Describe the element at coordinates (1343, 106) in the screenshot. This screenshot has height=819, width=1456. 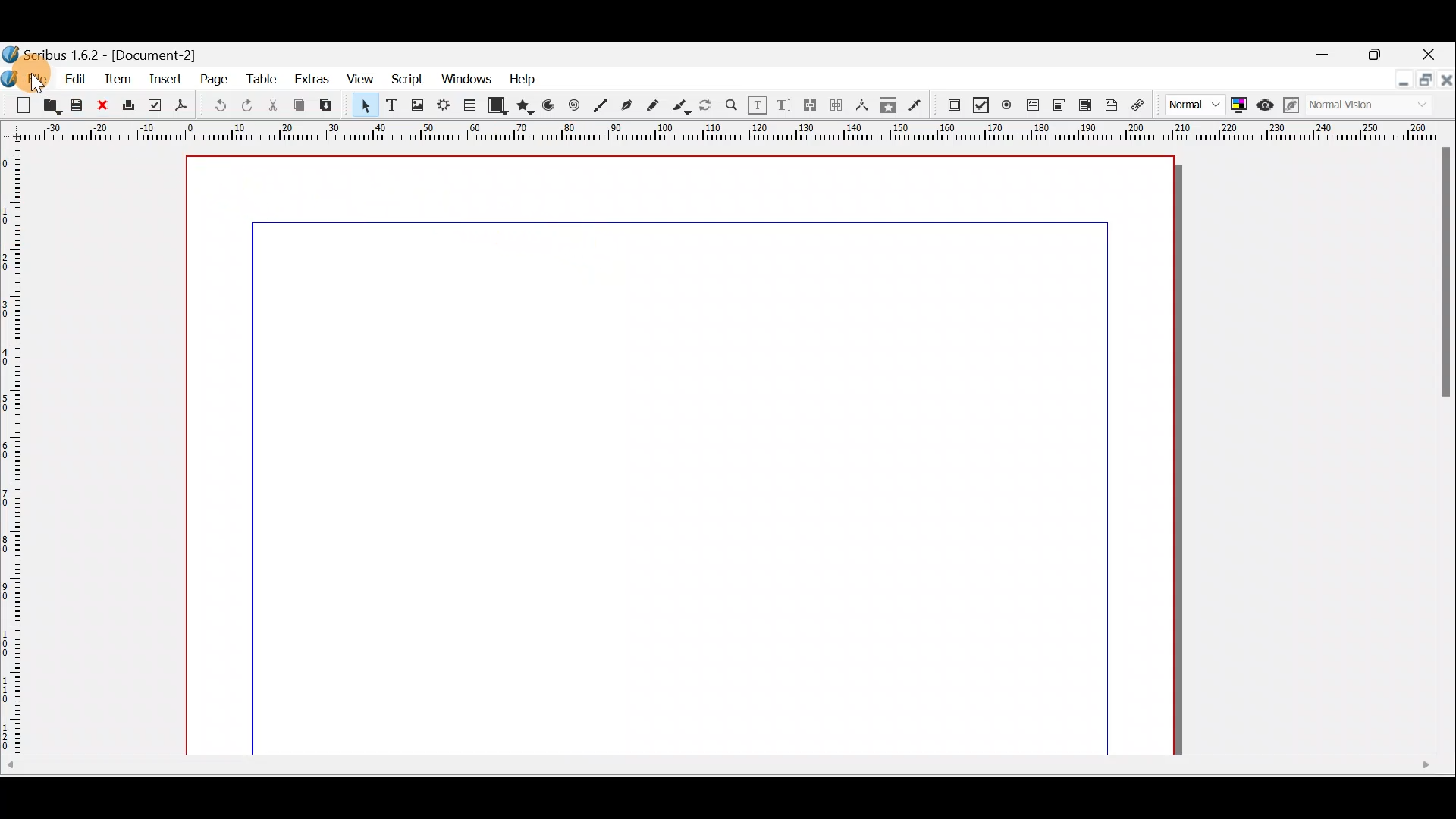
I see `Visual appearance` at that location.